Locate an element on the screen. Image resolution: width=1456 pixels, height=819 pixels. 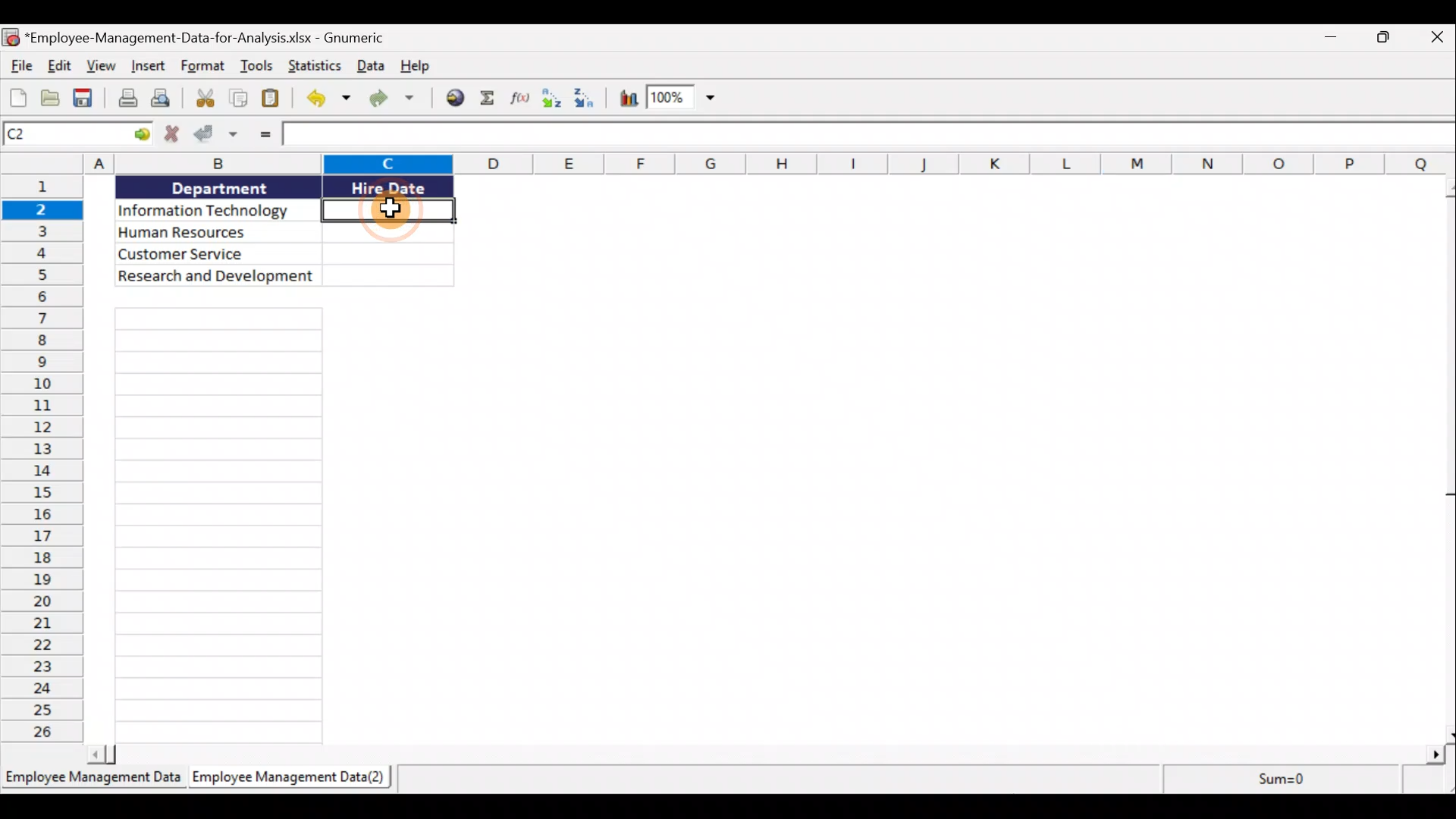
Undo last action is located at coordinates (325, 100).